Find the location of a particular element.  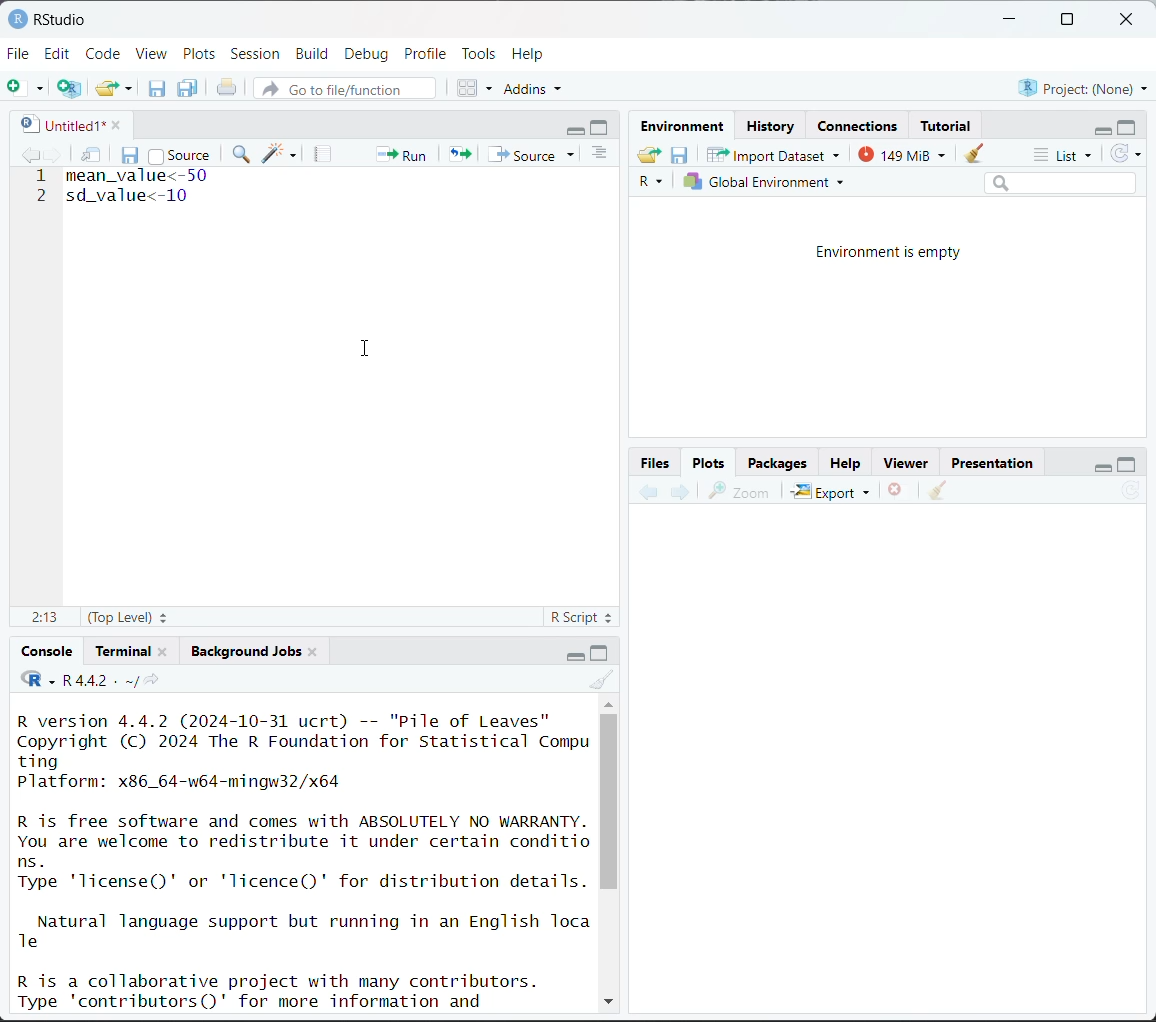

Tools is located at coordinates (479, 52).